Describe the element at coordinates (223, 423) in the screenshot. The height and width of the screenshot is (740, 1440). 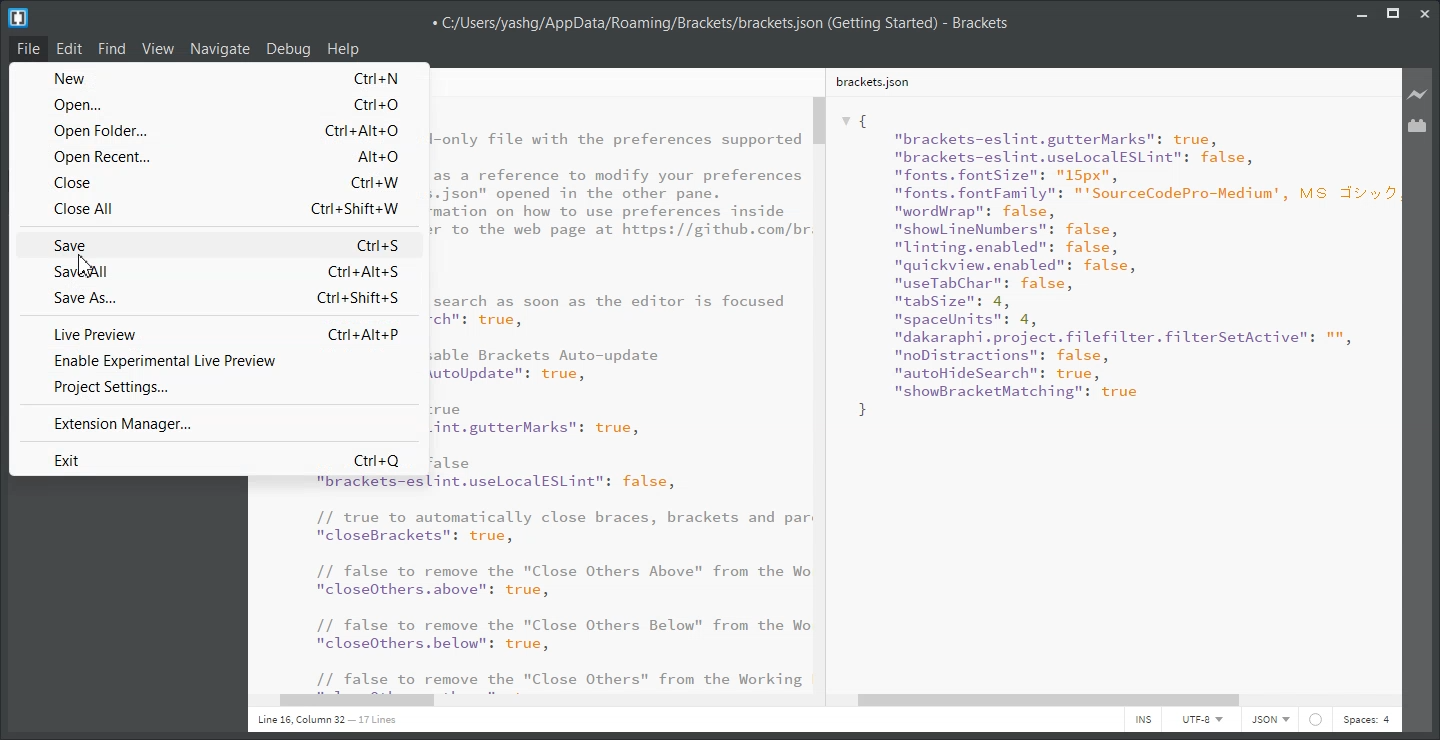
I see `Extension Manager...` at that location.